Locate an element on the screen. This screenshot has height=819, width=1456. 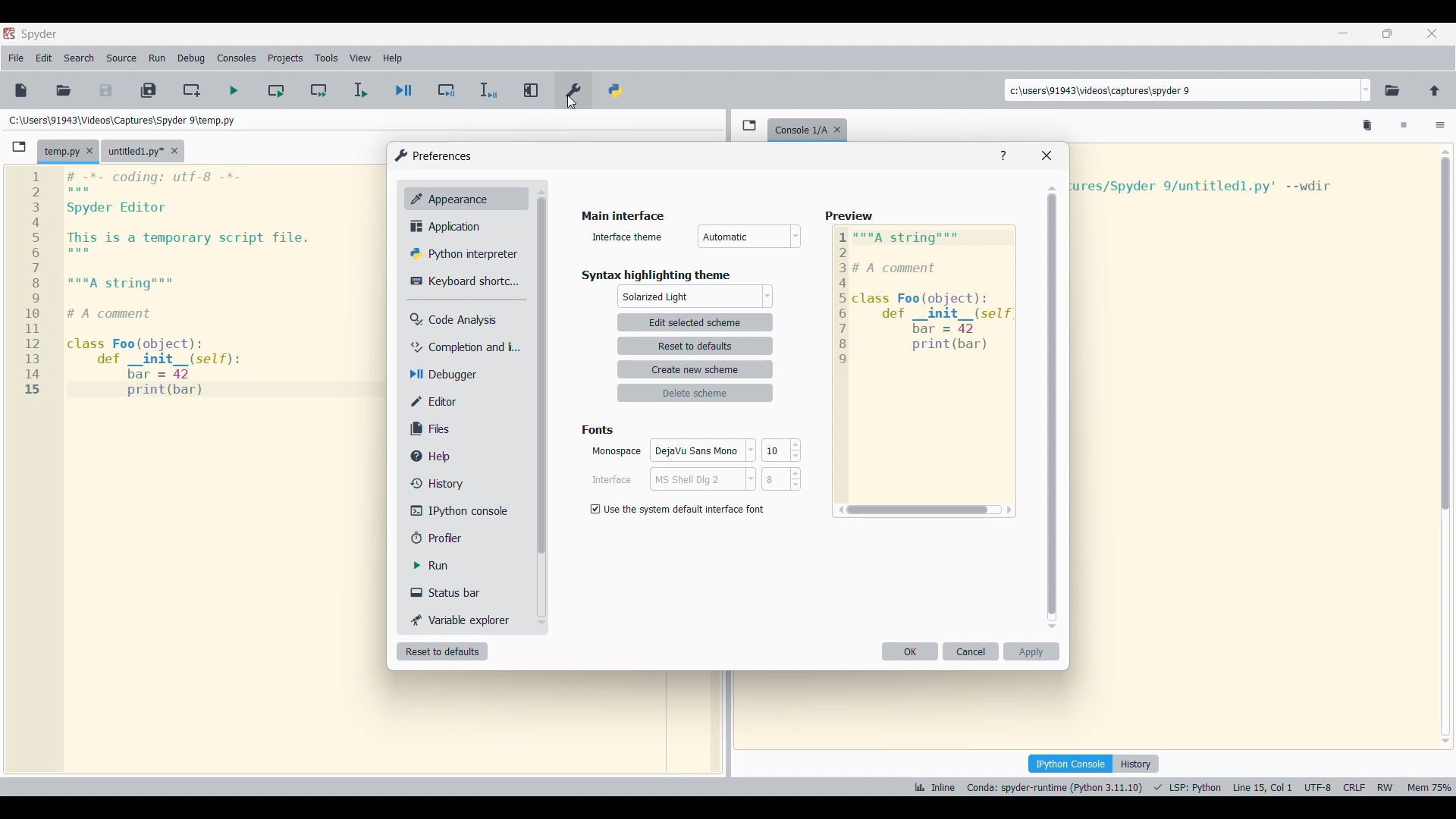
Create new cell at current line is located at coordinates (192, 91).